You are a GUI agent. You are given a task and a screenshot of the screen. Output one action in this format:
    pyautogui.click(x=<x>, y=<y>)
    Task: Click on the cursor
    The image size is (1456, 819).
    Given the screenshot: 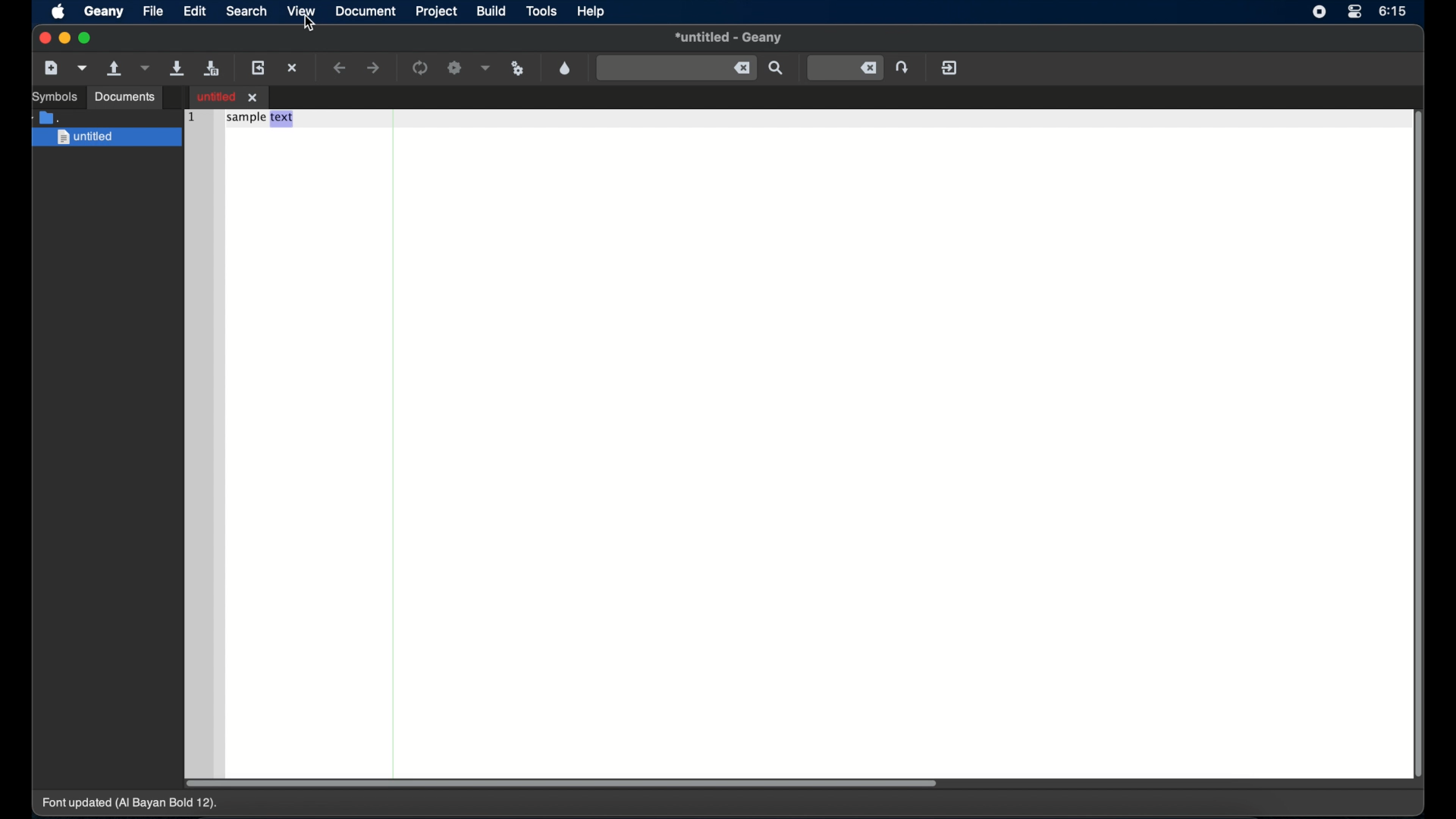 What is the action you would take?
    pyautogui.click(x=310, y=24)
    